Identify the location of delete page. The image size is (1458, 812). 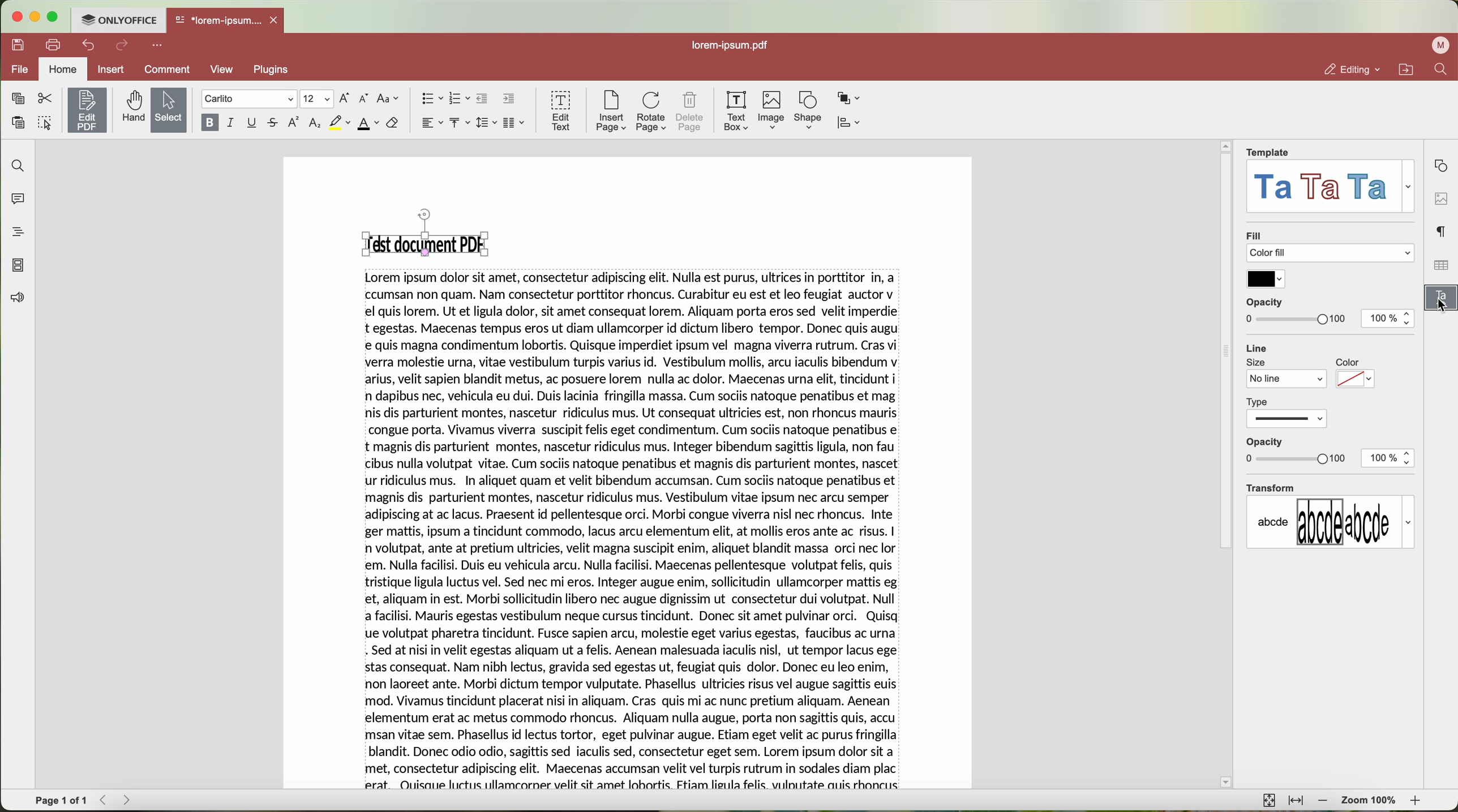
(690, 111).